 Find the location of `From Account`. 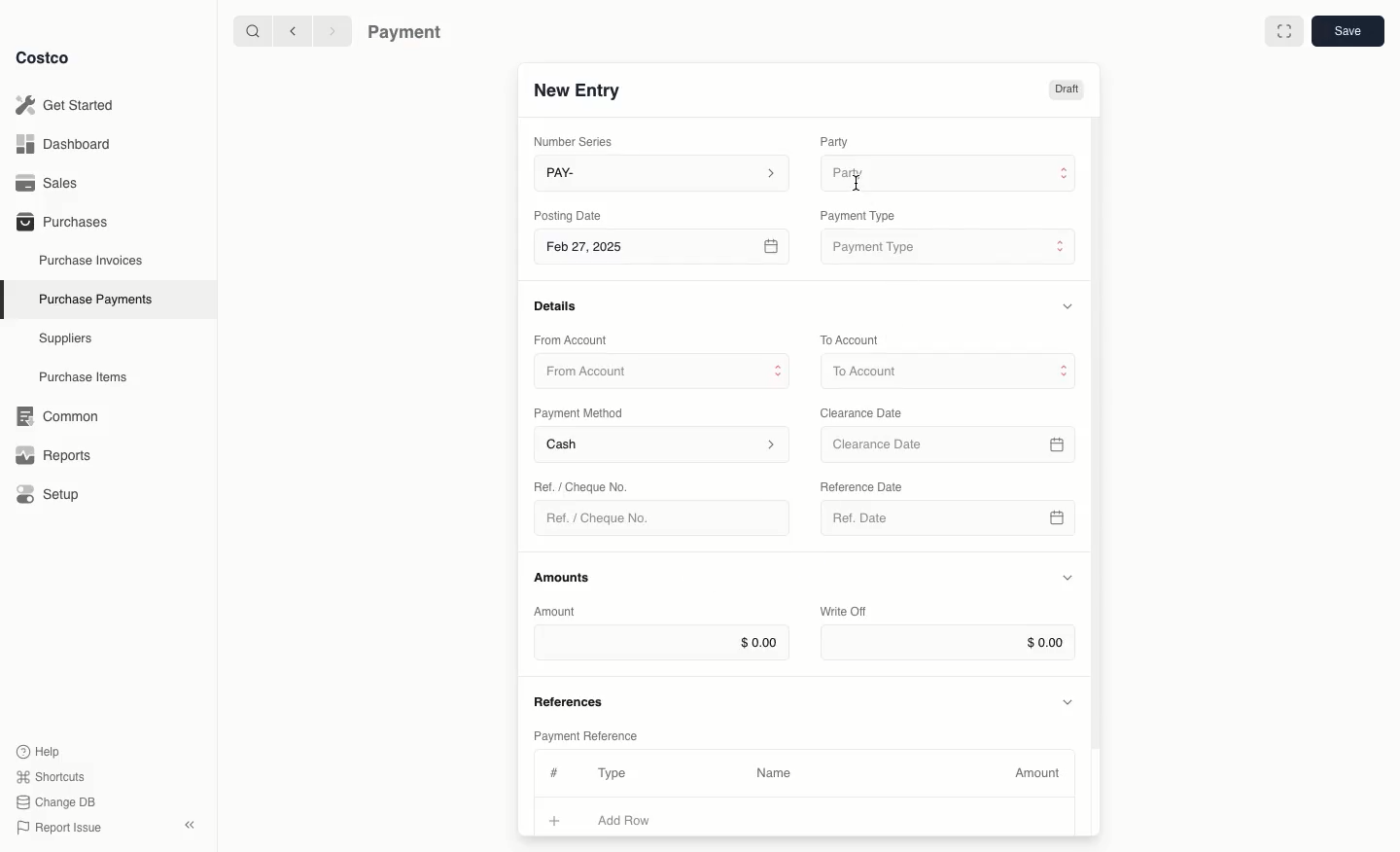

From Account is located at coordinates (571, 339).